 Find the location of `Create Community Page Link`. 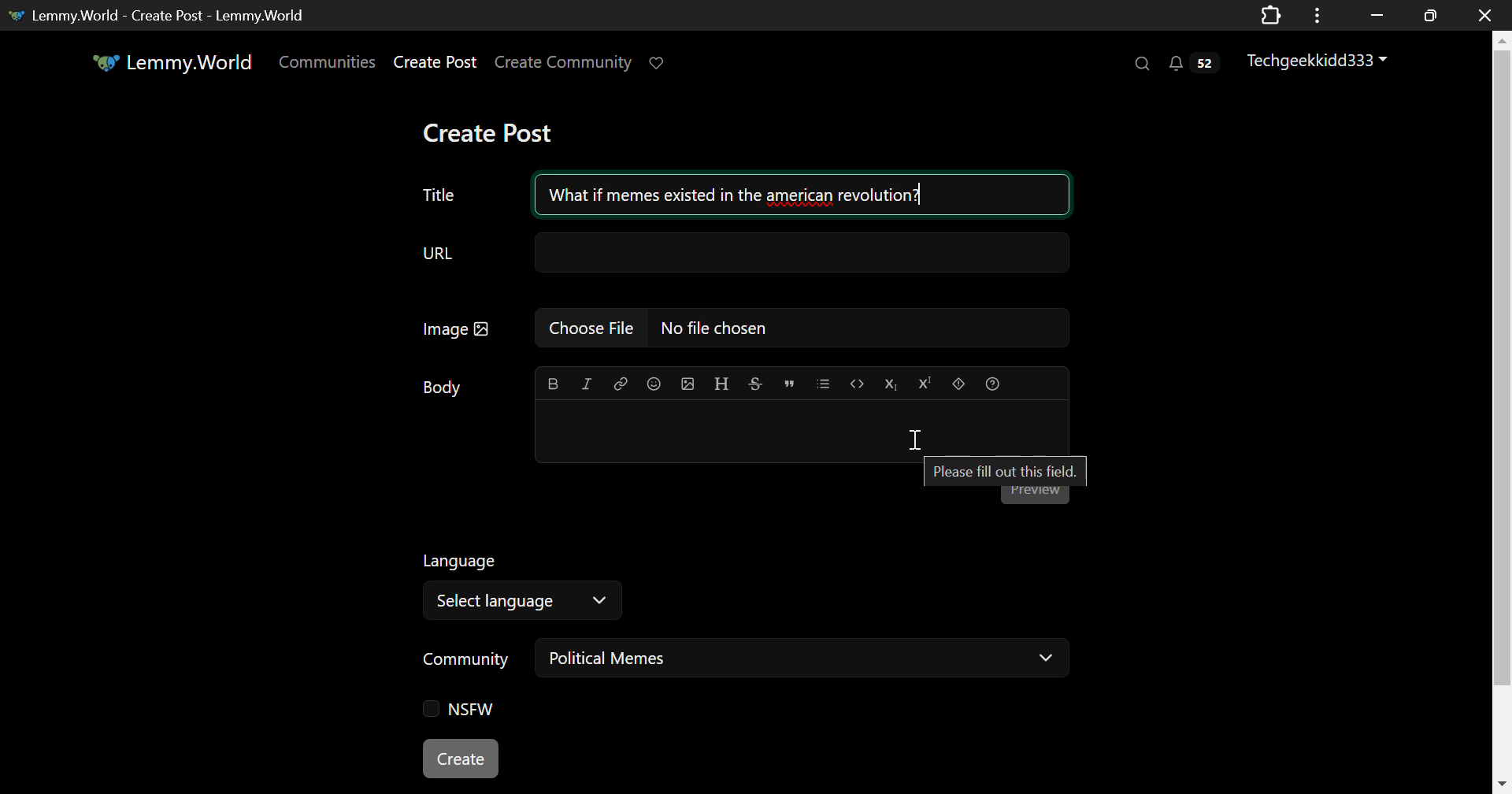

Create Community Page Link is located at coordinates (564, 61).